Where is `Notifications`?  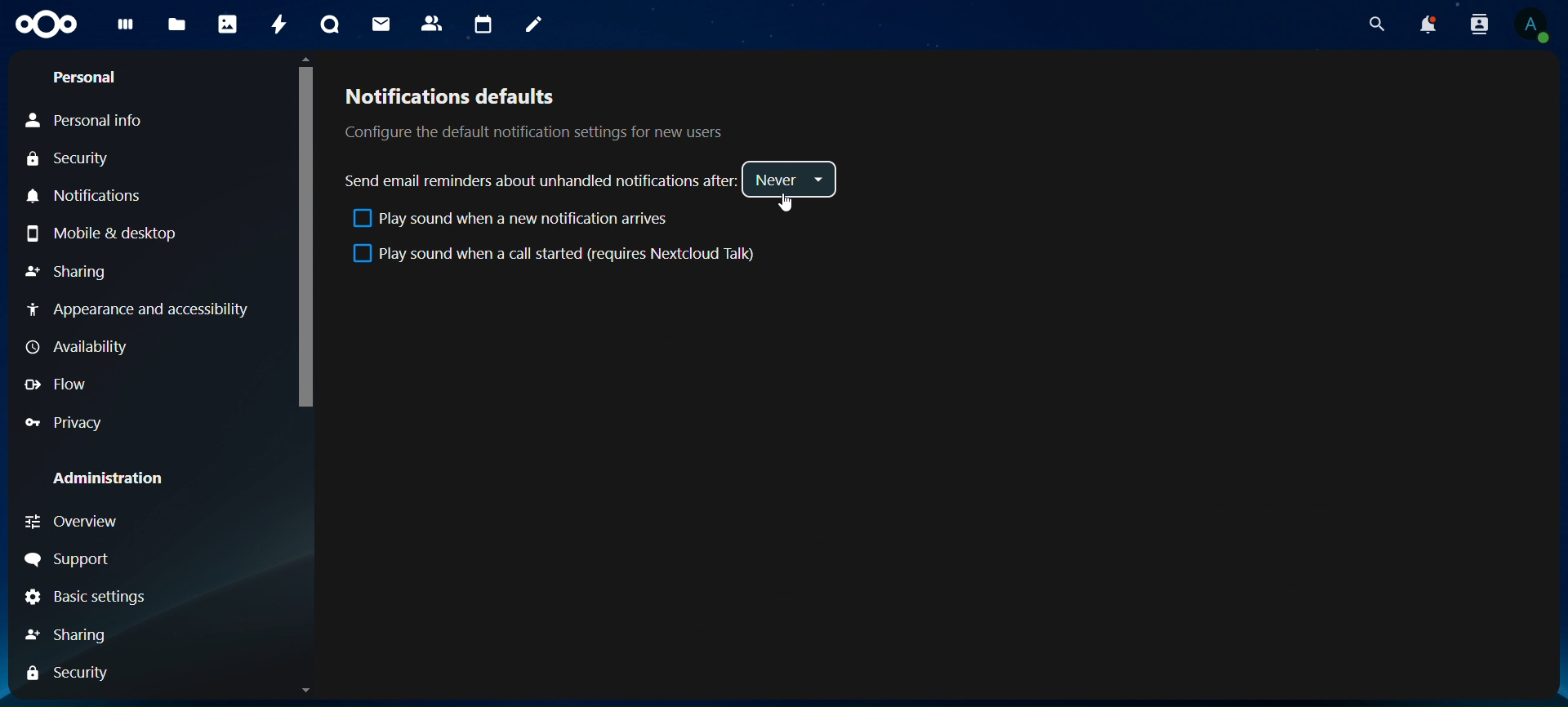 Notifications is located at coordinates (91, 196).